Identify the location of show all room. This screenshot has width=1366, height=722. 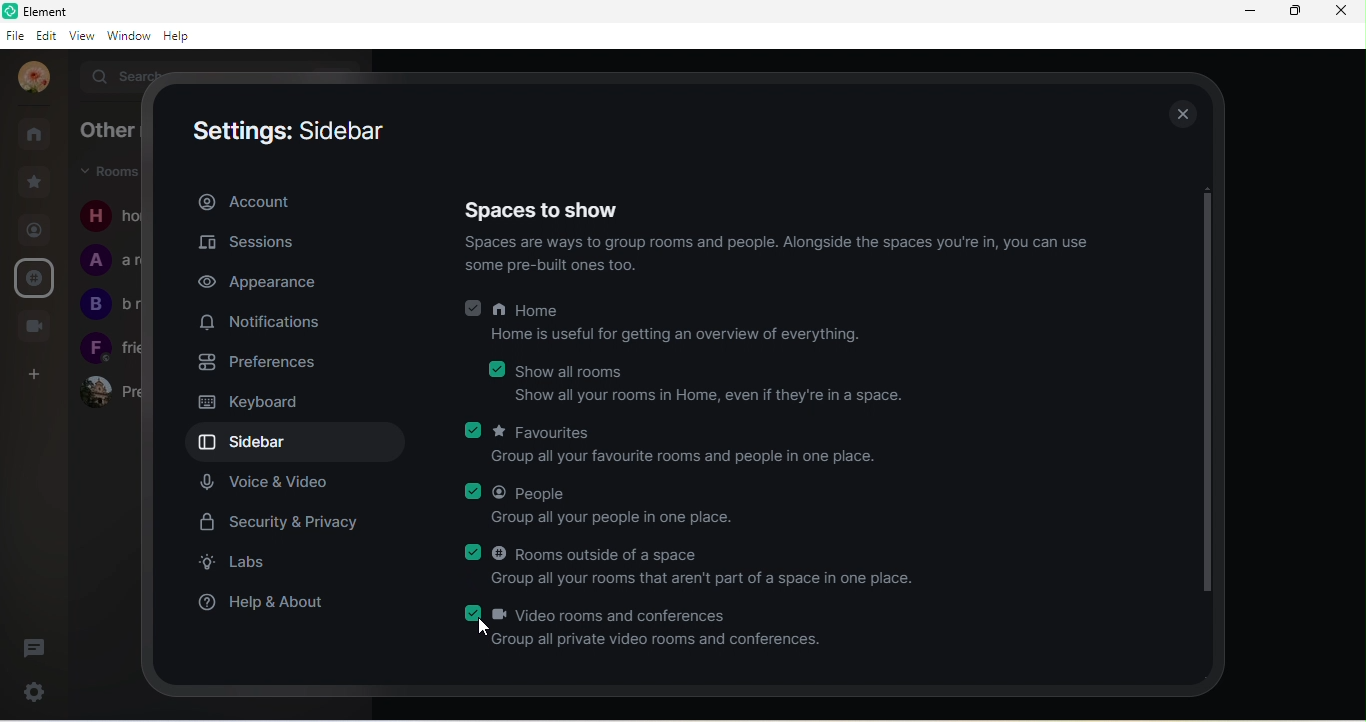
(700, 382).